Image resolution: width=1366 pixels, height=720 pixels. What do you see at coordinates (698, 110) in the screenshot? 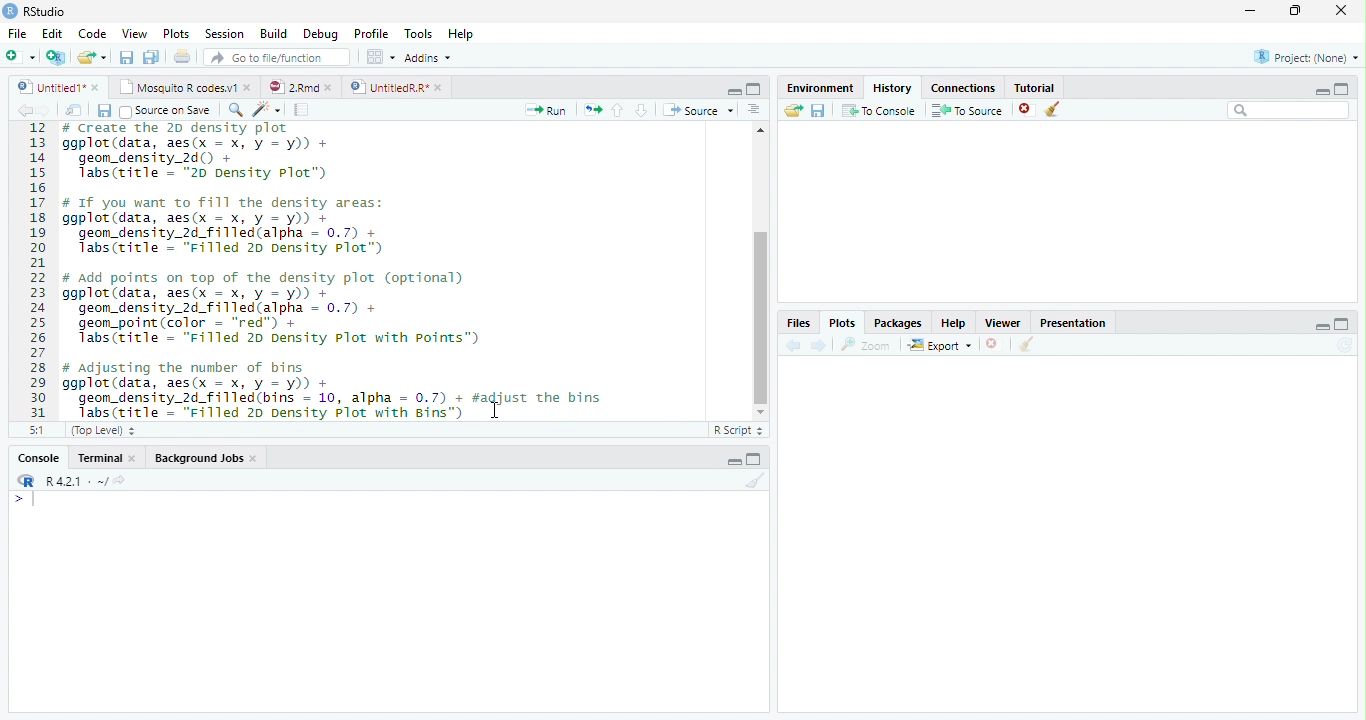
I see `Source` at bounding box center [698, 110].